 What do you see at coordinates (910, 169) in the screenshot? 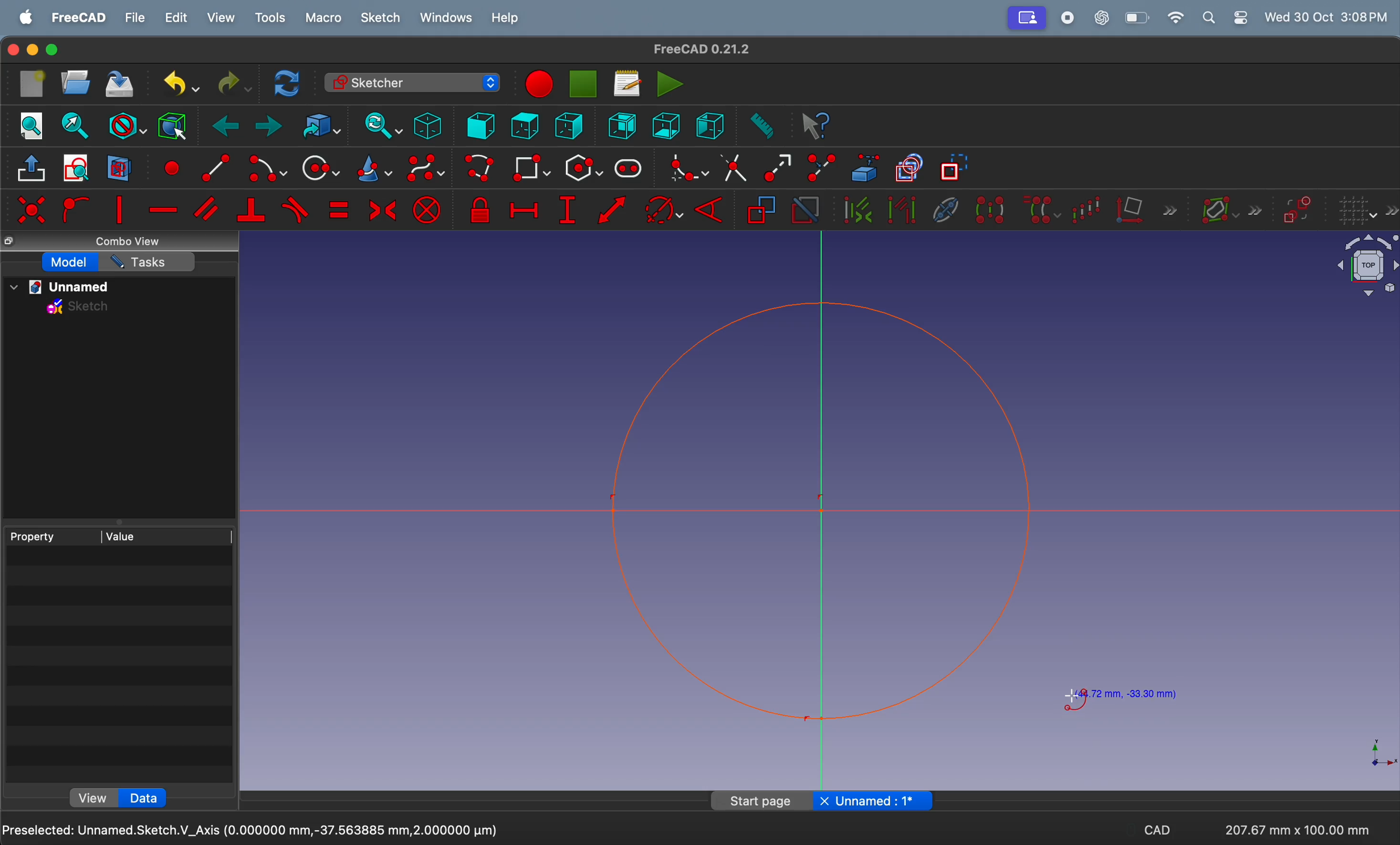
I see `toggle copy` at bounding box center [910, 169].